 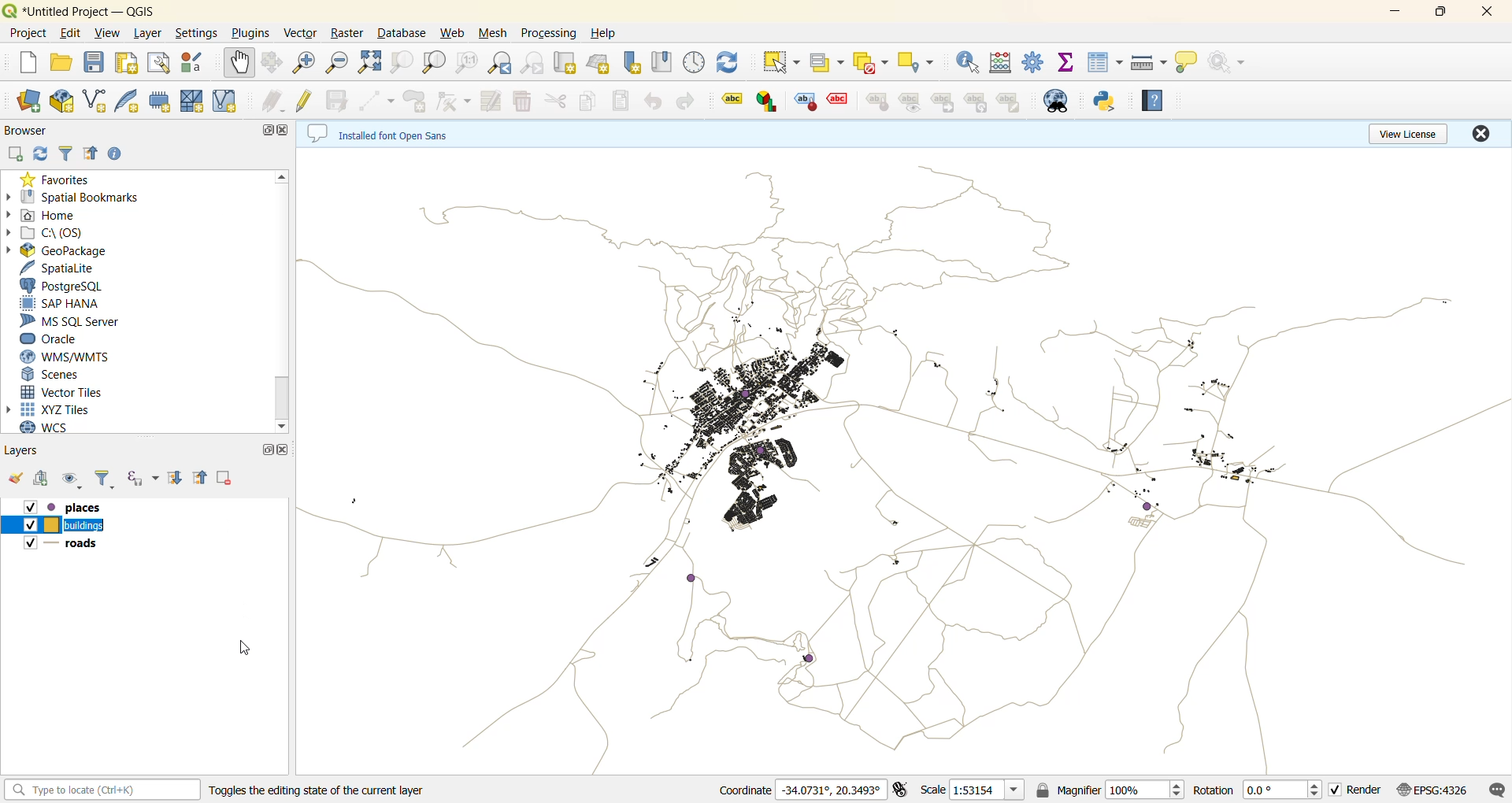 What do you see at coordinates (799, 791) in the screenshot?
I see `coordinates` at bounding box center [799, 791].